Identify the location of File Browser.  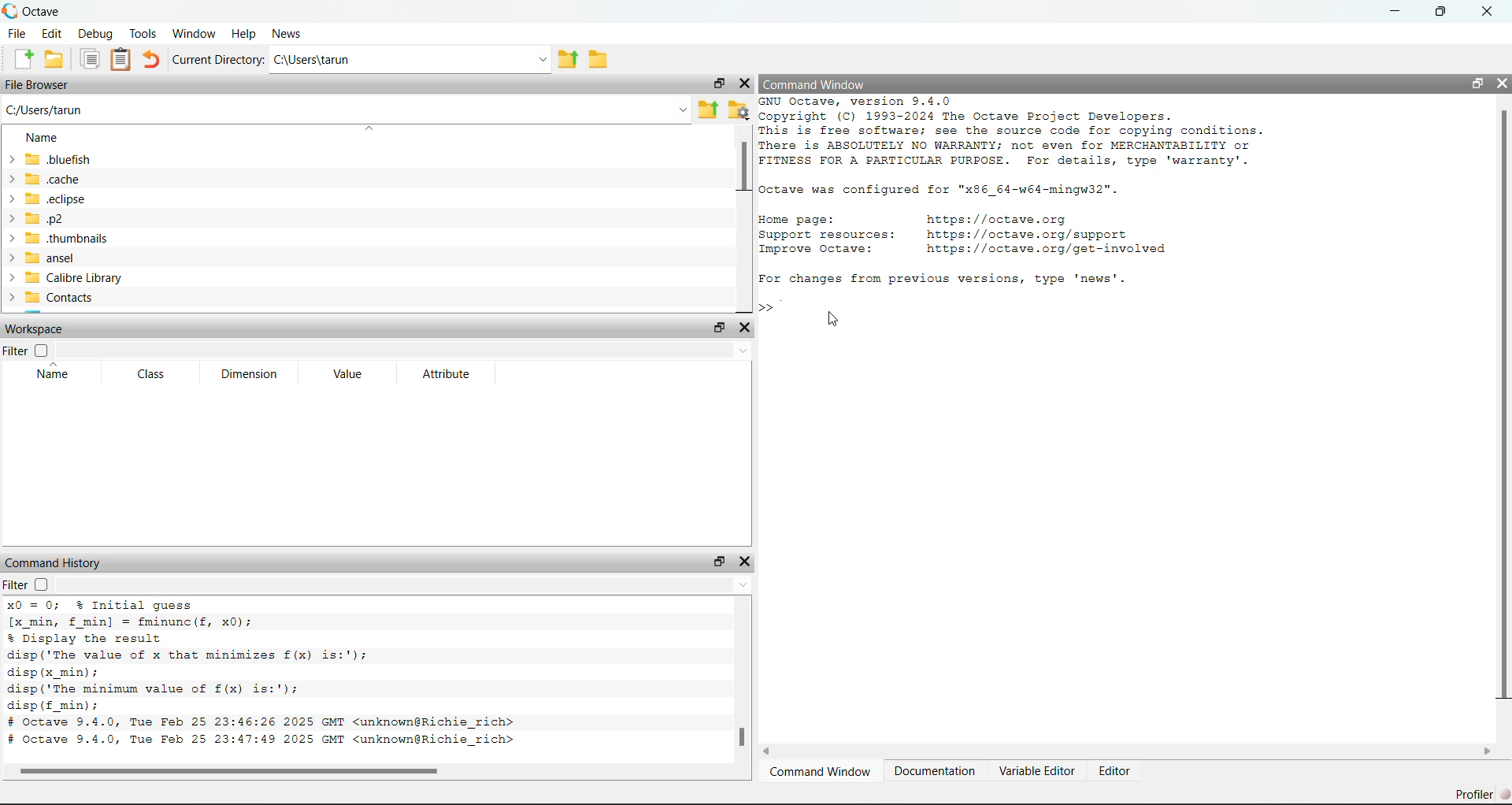
(39, 84).